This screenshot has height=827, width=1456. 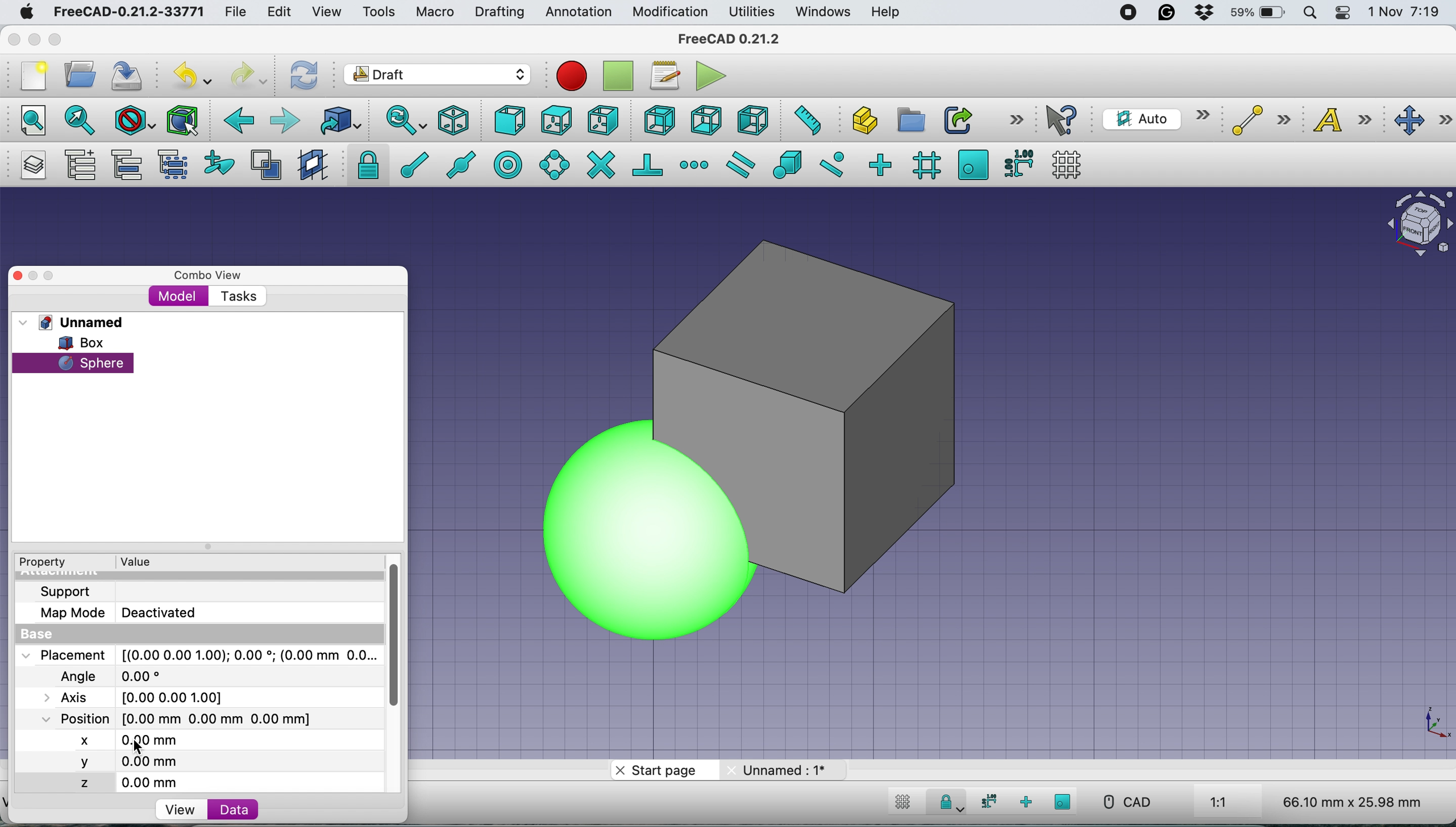 What do you see at coordinates (116, 678) in the screenshot?
I see `angle` at bounding box center [116, 678].